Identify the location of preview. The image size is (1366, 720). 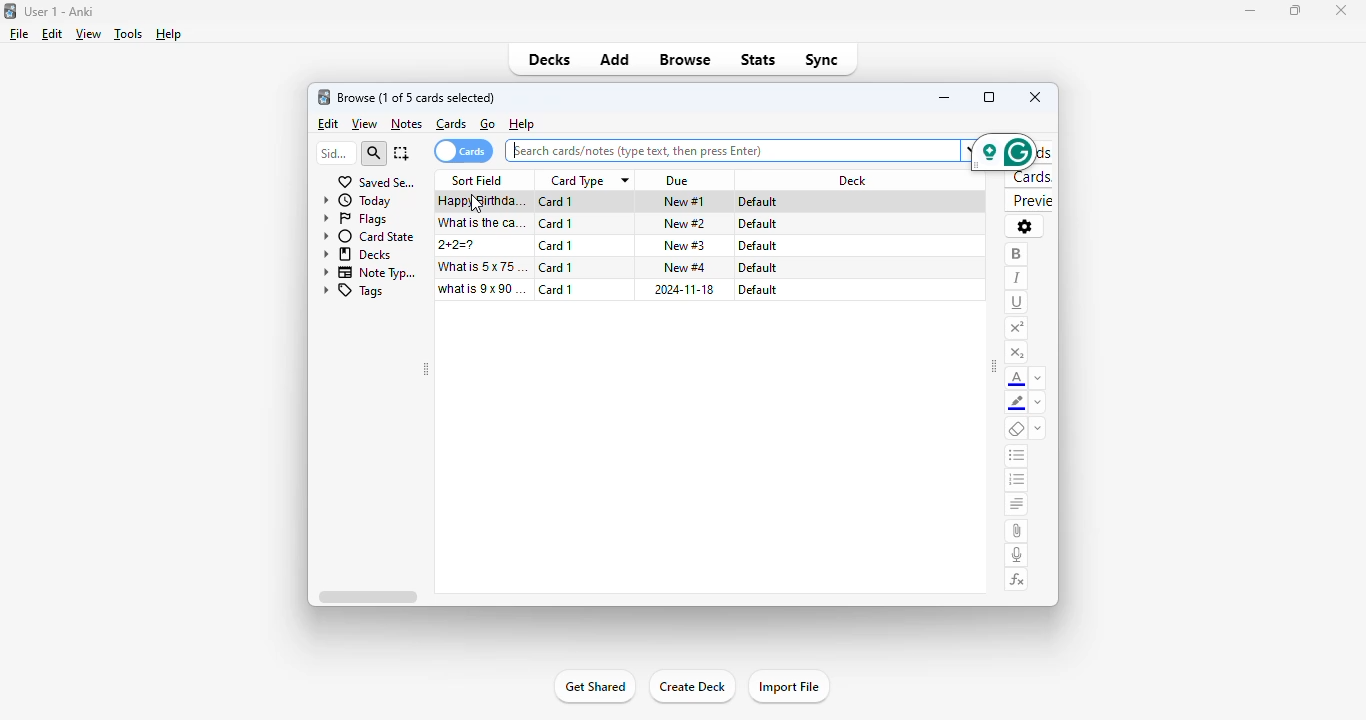
(1030, 201).